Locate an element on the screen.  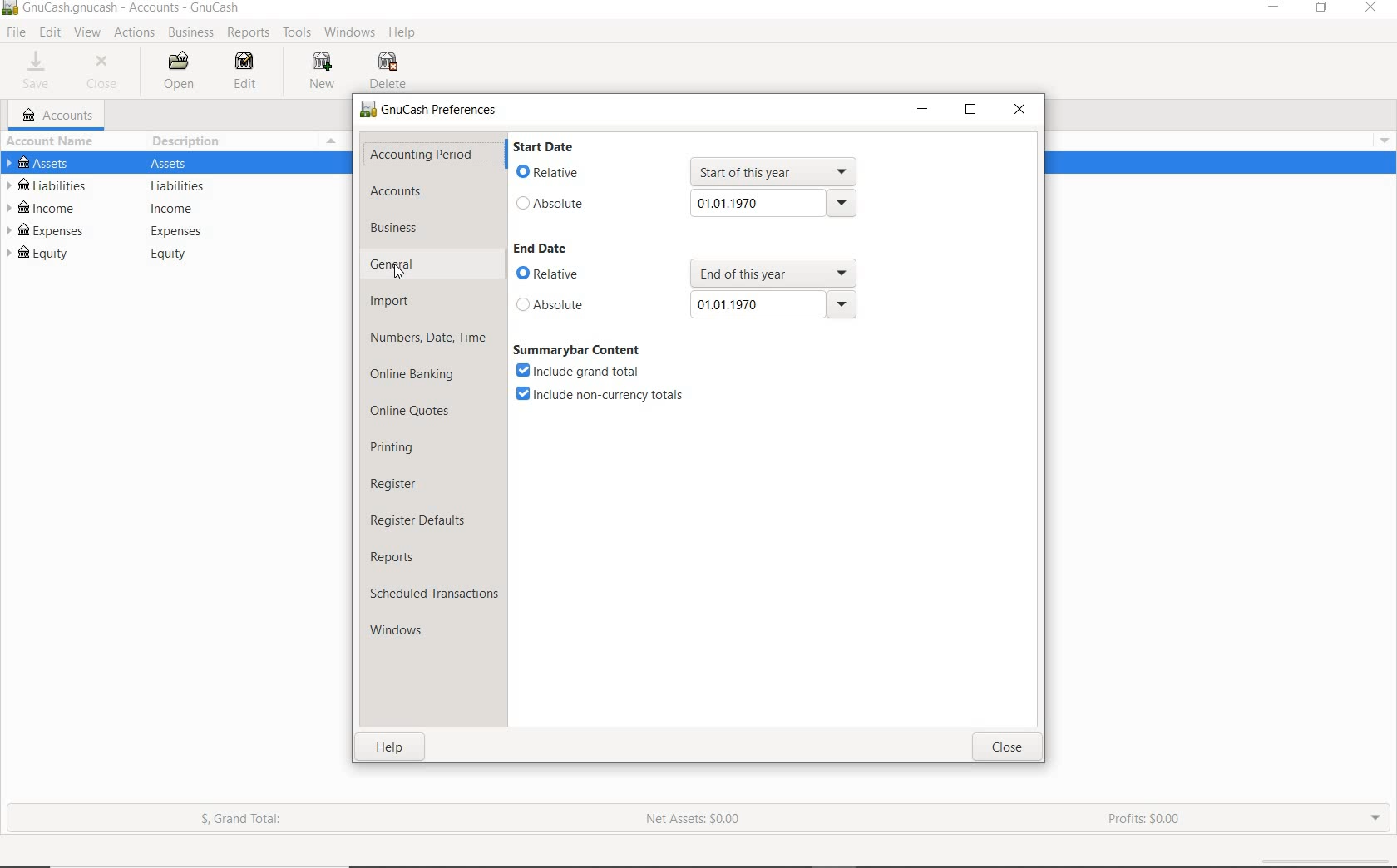
ACCOUNTING PERIOD is located at coordinates (423, 155).